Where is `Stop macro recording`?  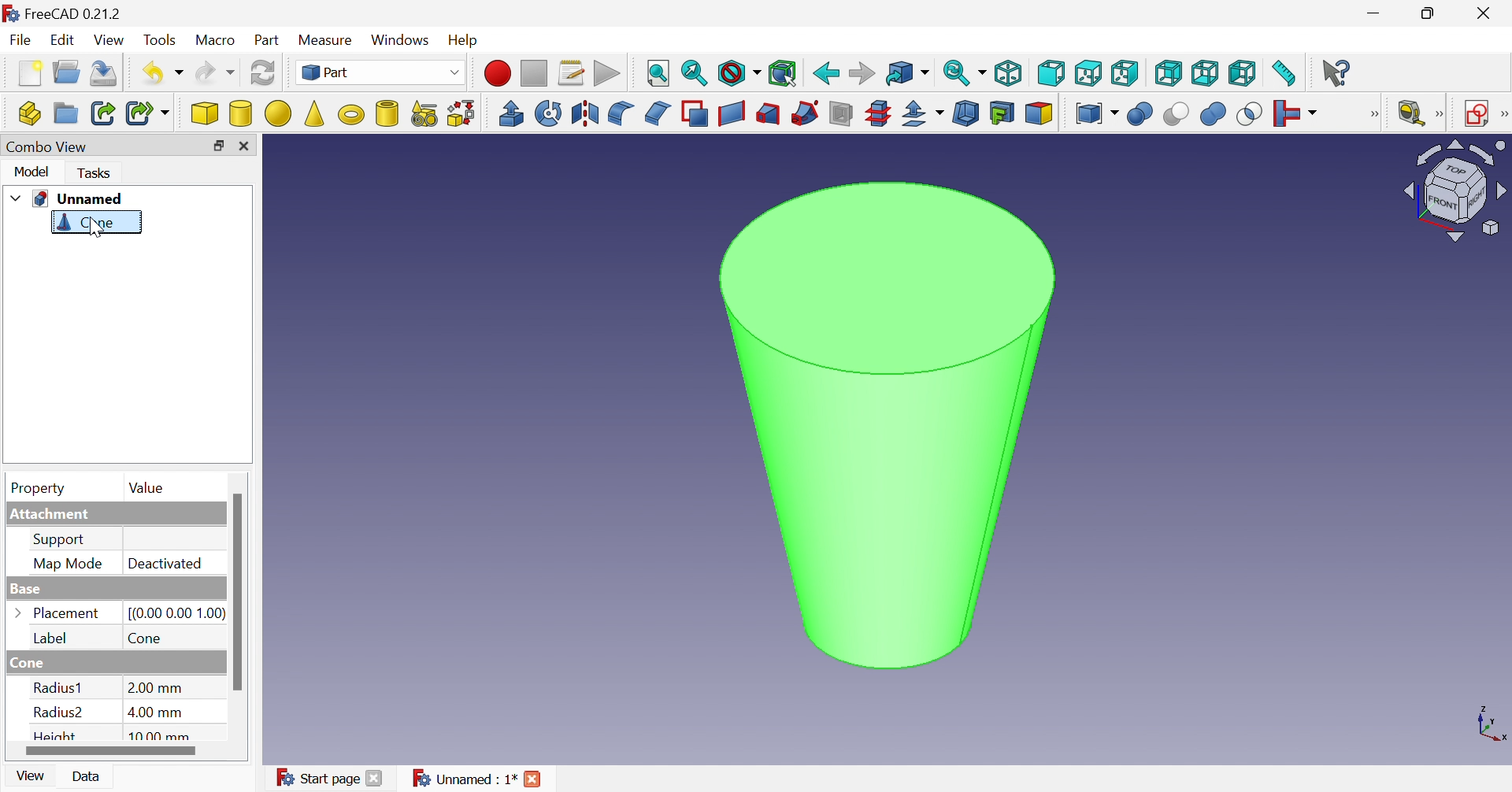
Stop macro recording is located at coordinates (537, 72).